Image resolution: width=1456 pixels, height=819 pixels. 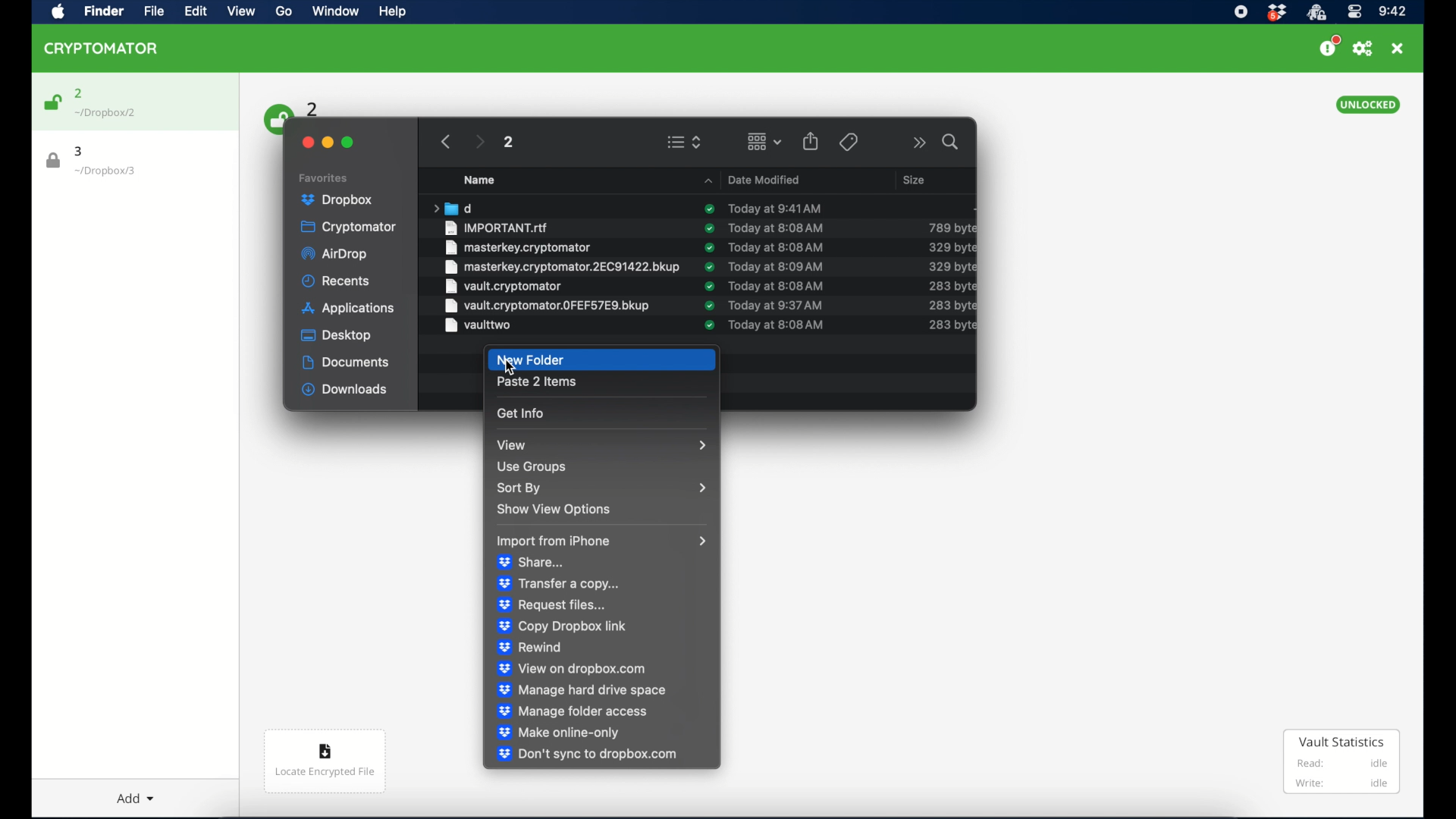 What do you see at coordinates (560, 267) in the screenshot?
I see `masterkey` at bounding box center [560, 267].